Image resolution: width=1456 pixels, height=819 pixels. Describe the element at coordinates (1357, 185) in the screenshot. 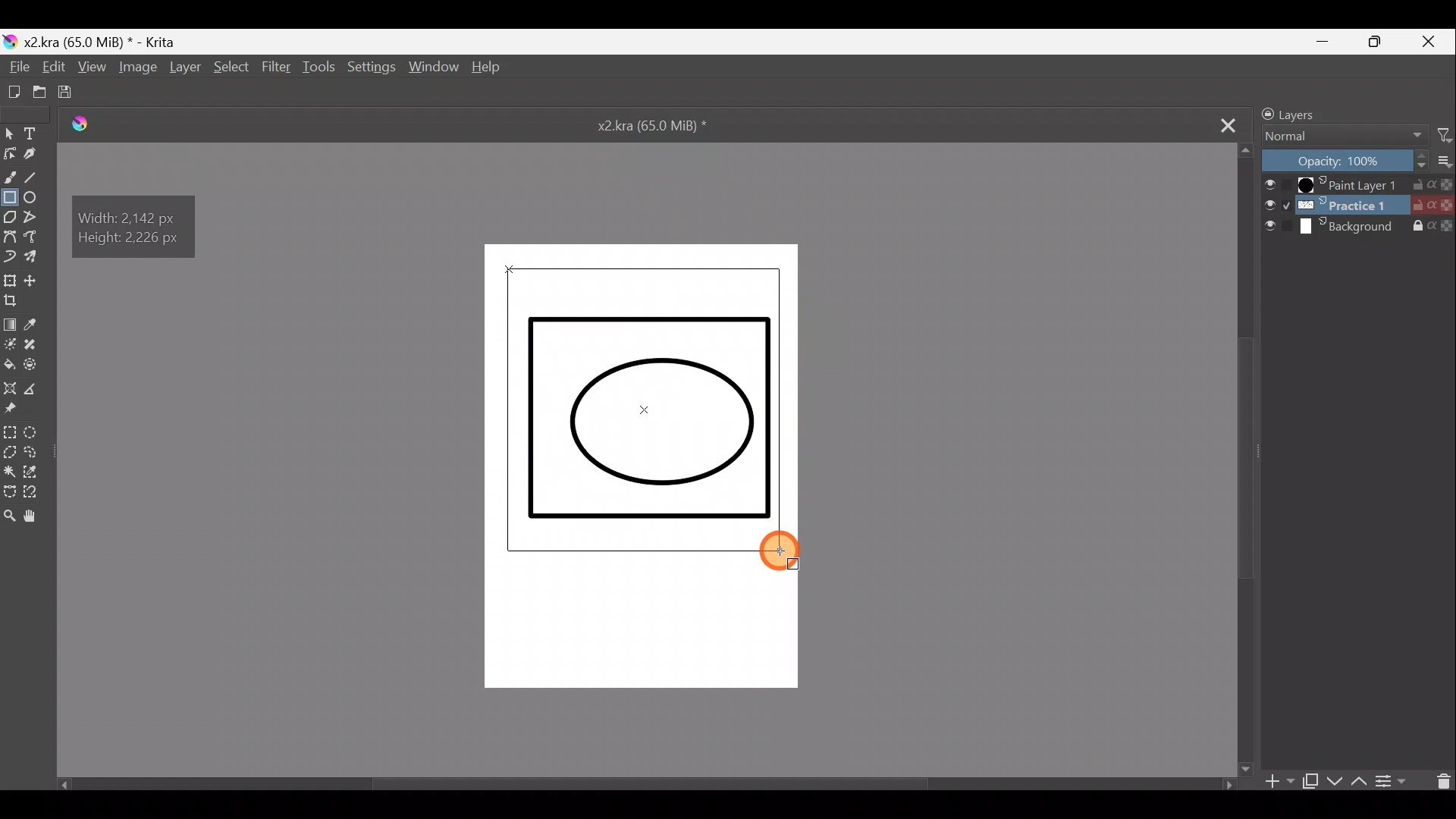

I see `Paint Layer 1` at that location.